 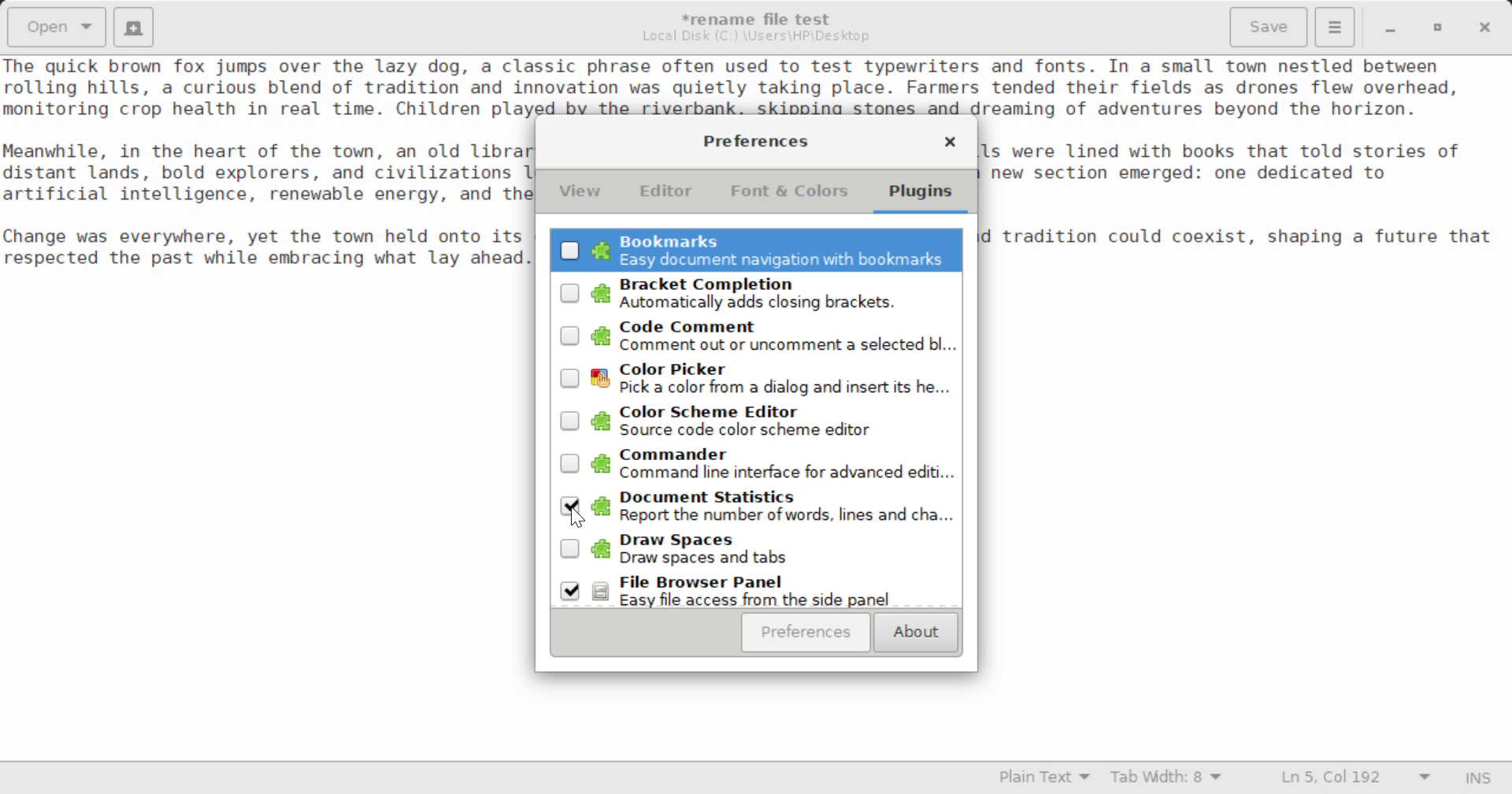 I want to click on Selected Language, so click(x=1045, y=779).